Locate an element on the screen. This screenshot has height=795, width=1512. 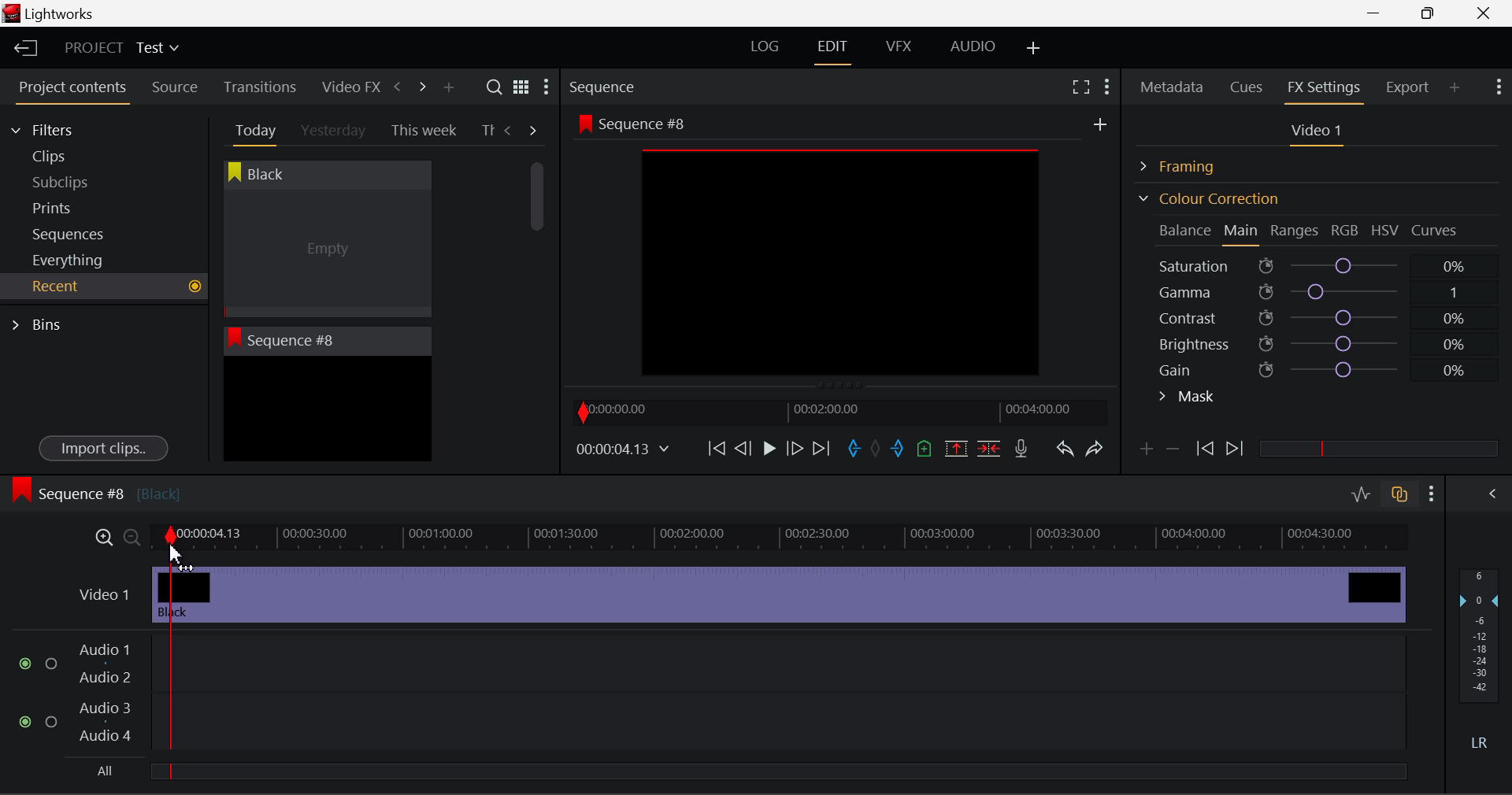
Redo is located at coordinates (1095, 448).